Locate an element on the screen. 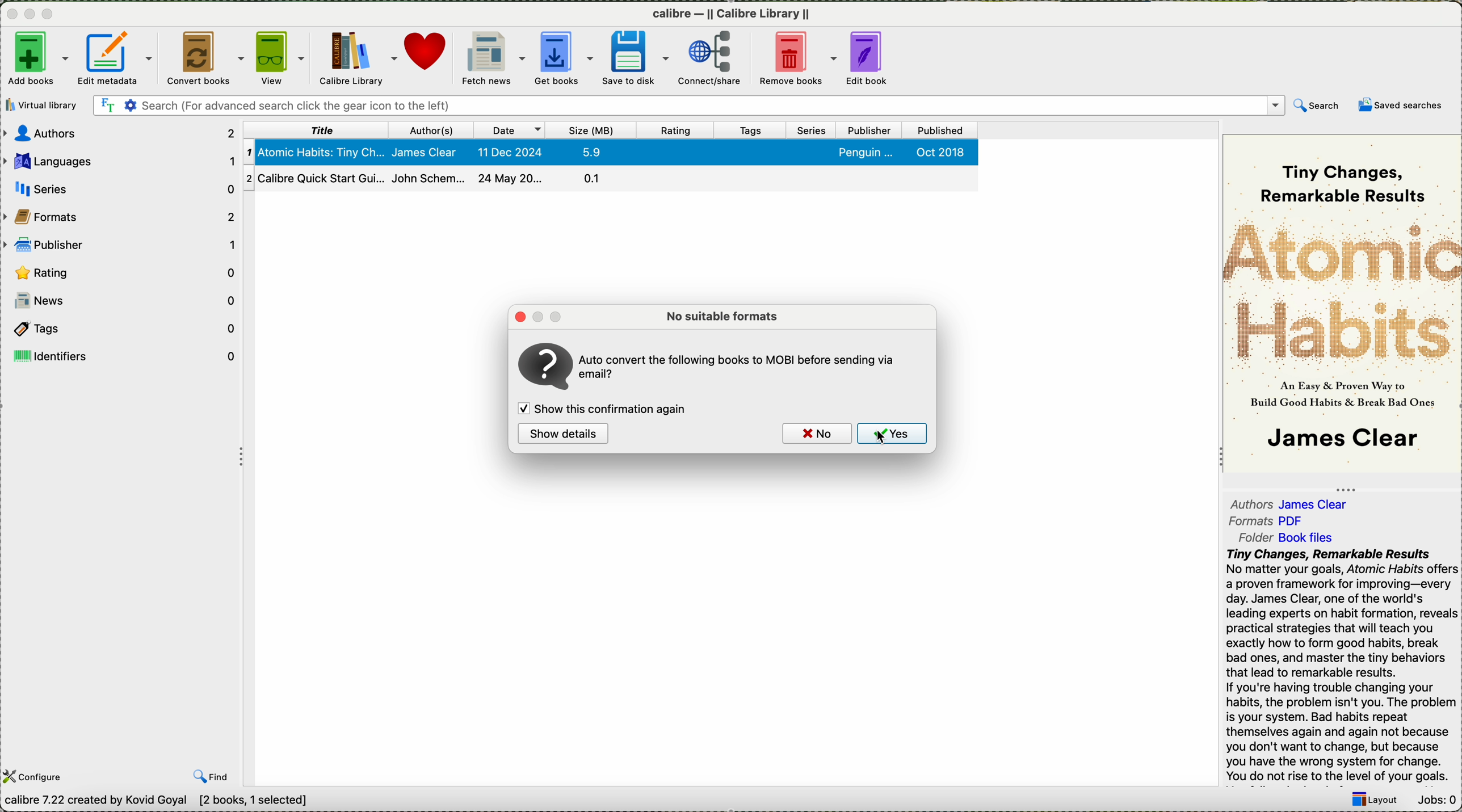 This screenshot has height=812, width=1462. size is located at coordinates (592, 129).